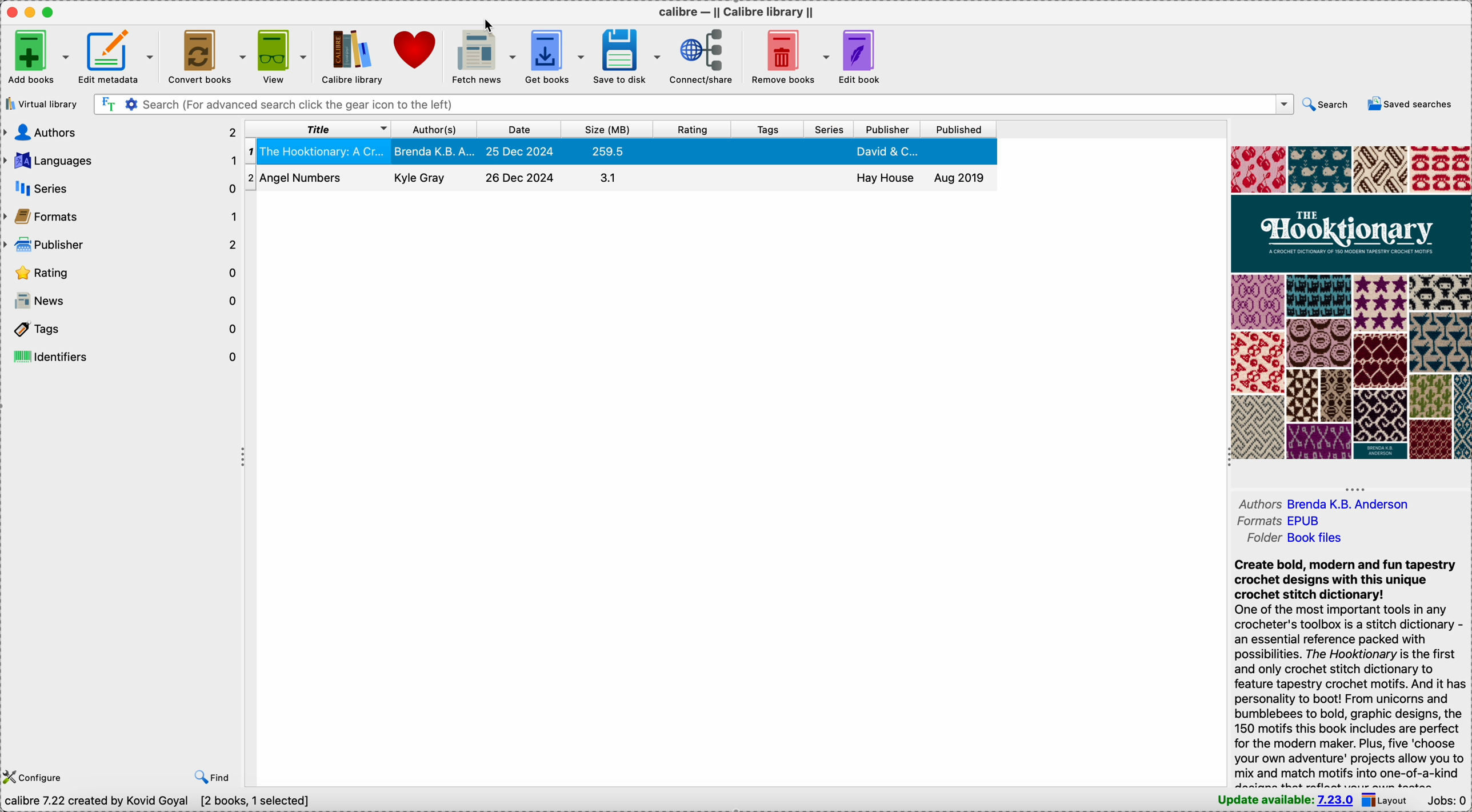  What do you see at coordinates (621, 181) in the screenshot?
I see `Angel numbers book details` at bounding box center [621, 181].